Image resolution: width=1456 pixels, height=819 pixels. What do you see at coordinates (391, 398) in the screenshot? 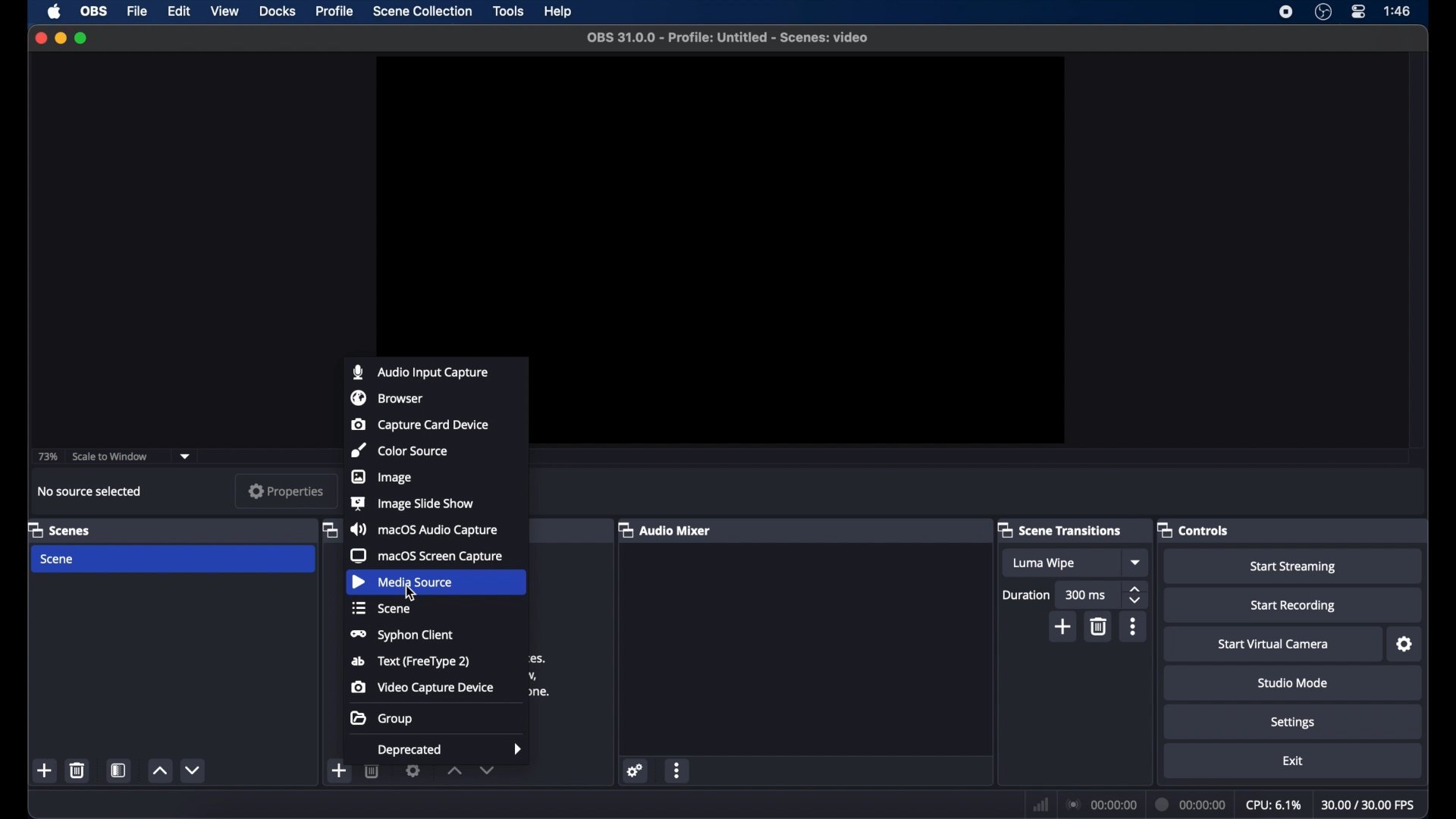
I see `browser` at bounding box center [391, 398].